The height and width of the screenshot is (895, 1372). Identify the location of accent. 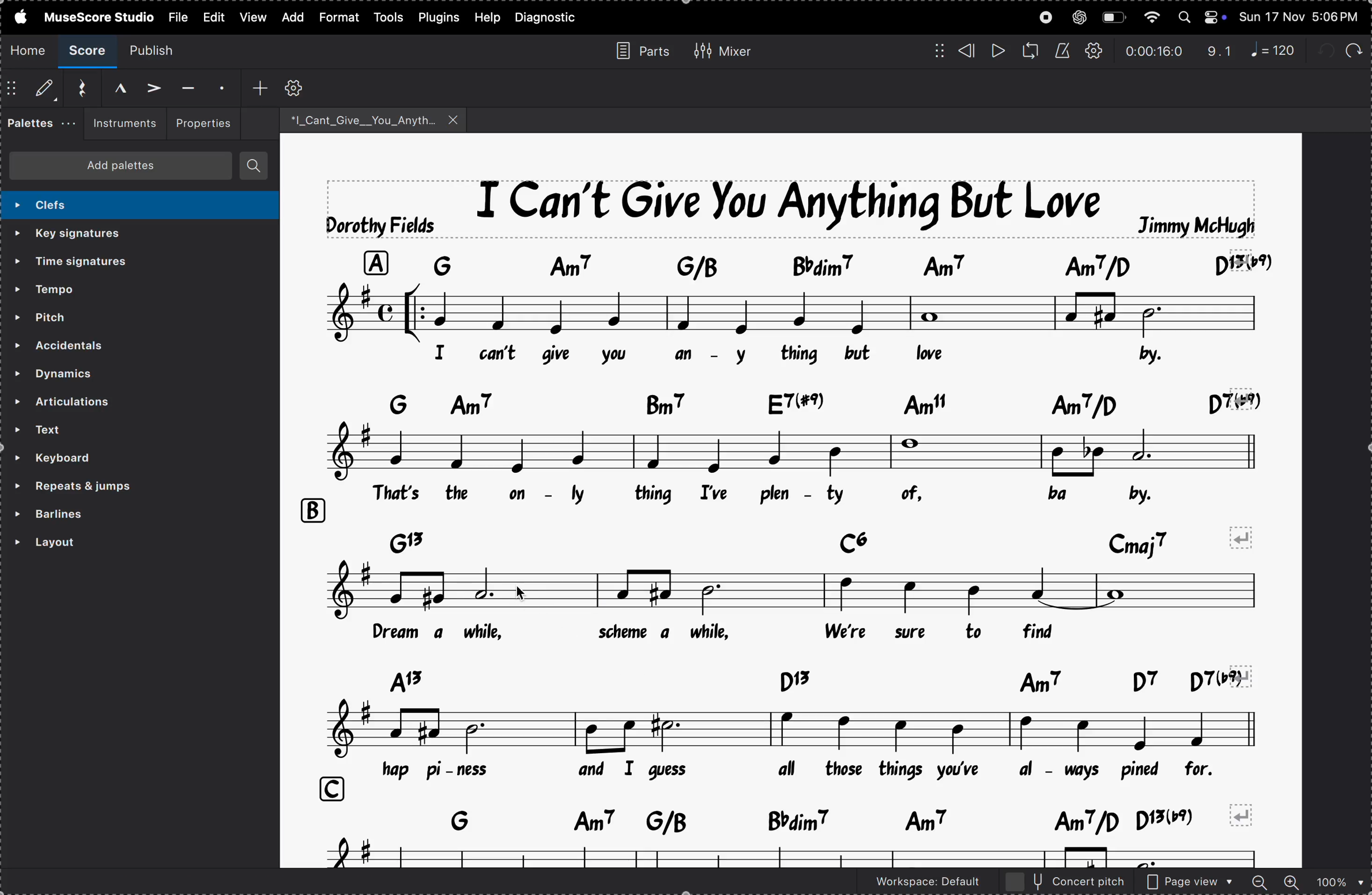
(149, 86).